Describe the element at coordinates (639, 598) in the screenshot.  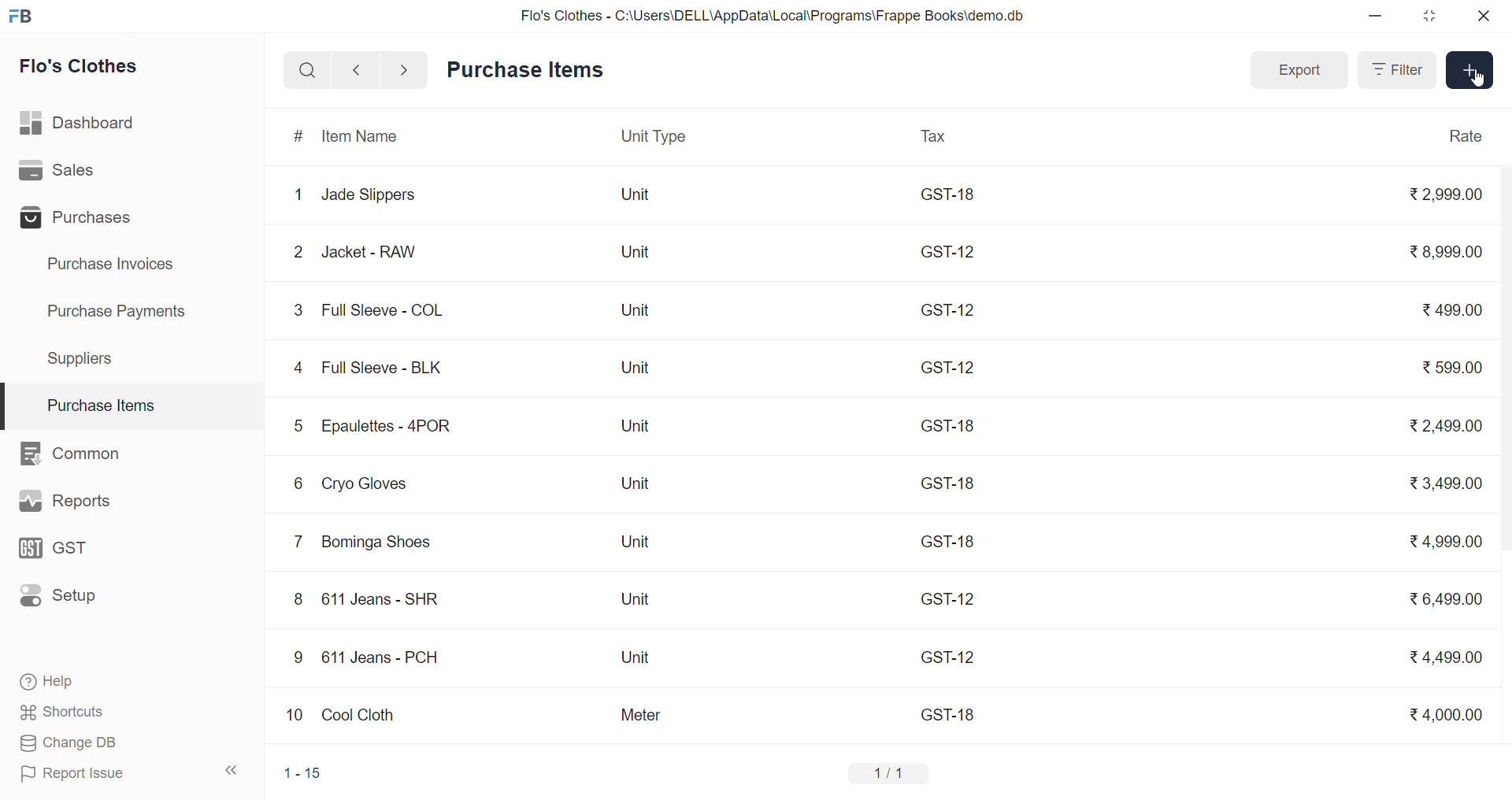
I see `Unit` at that location.